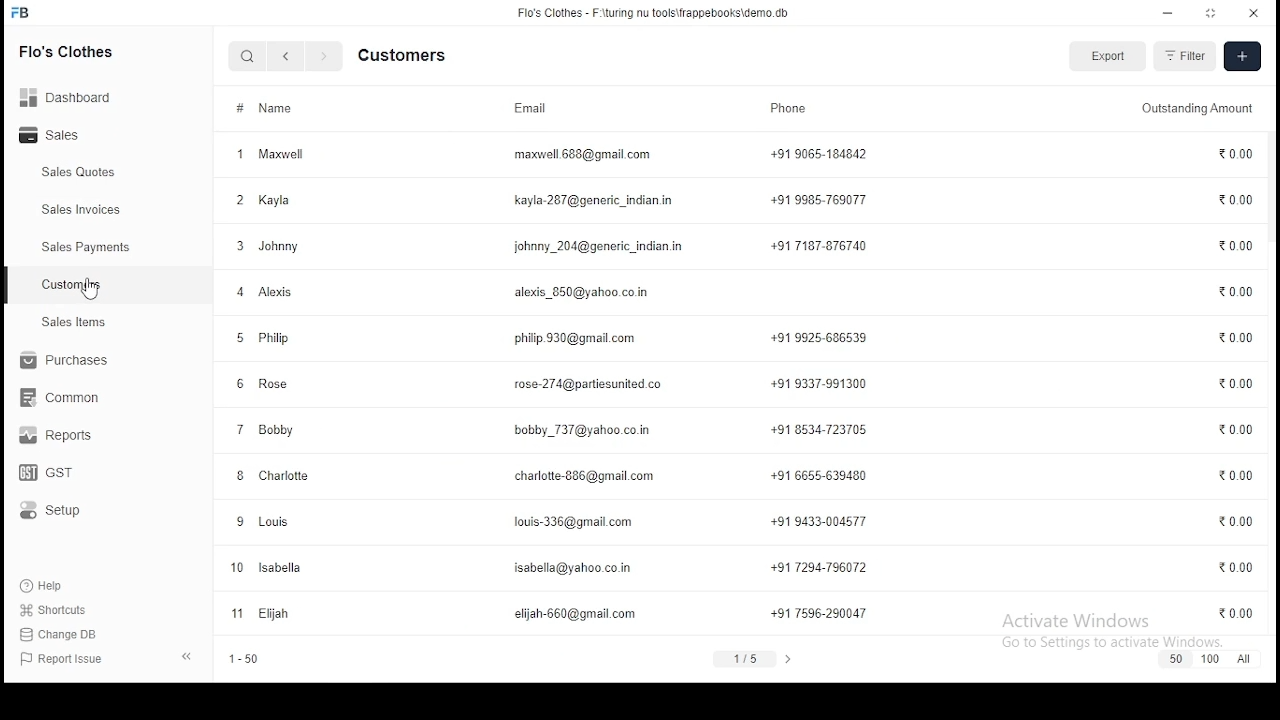 The width and height of the screenshot is (1280, 720). What do you see at coordinates (240, 293) in the screenshot?
I see `4` at bounding box center [240, 293].